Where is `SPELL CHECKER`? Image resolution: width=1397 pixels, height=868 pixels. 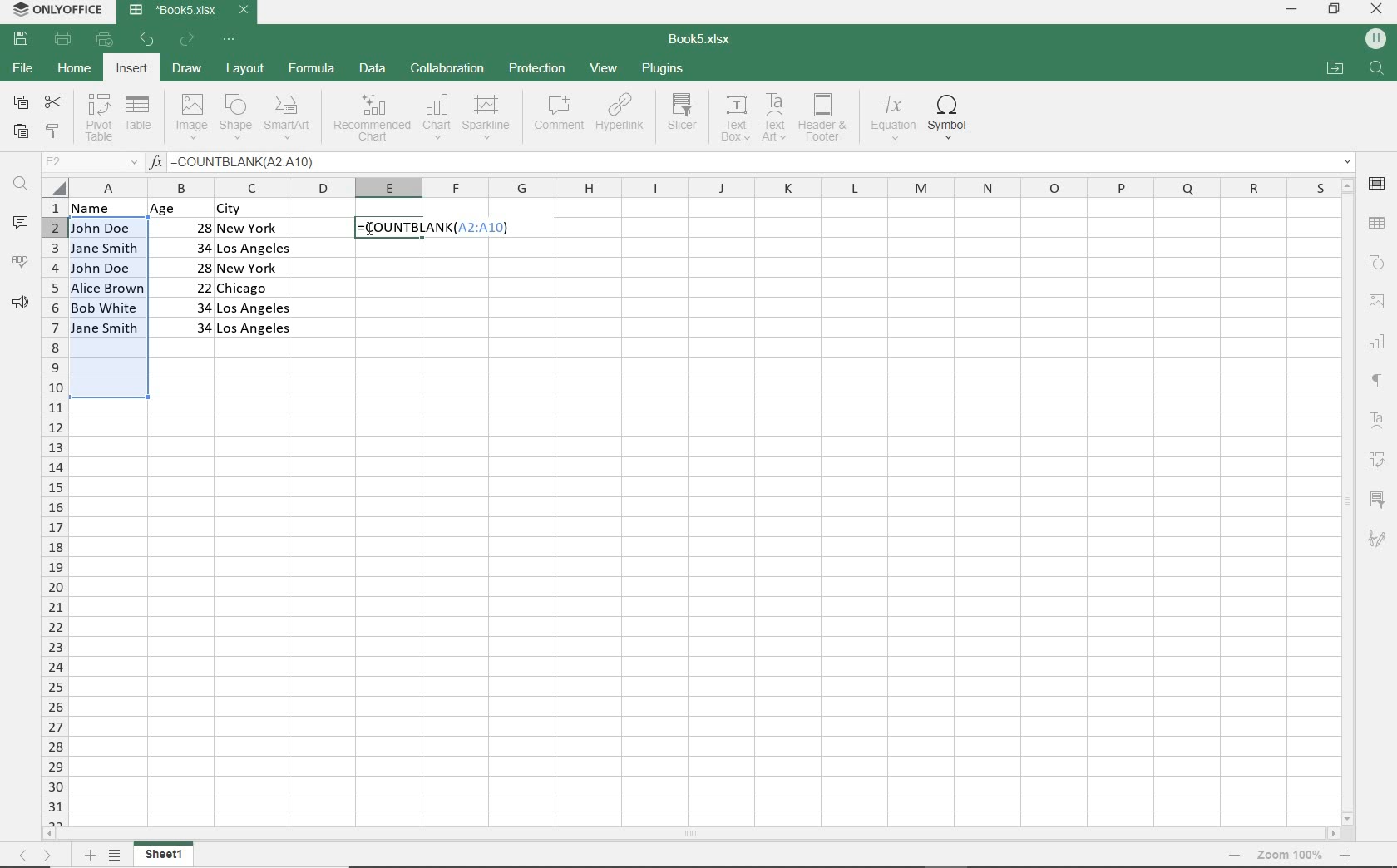
SPELL CHECKER is located at coordinates (20, 265).